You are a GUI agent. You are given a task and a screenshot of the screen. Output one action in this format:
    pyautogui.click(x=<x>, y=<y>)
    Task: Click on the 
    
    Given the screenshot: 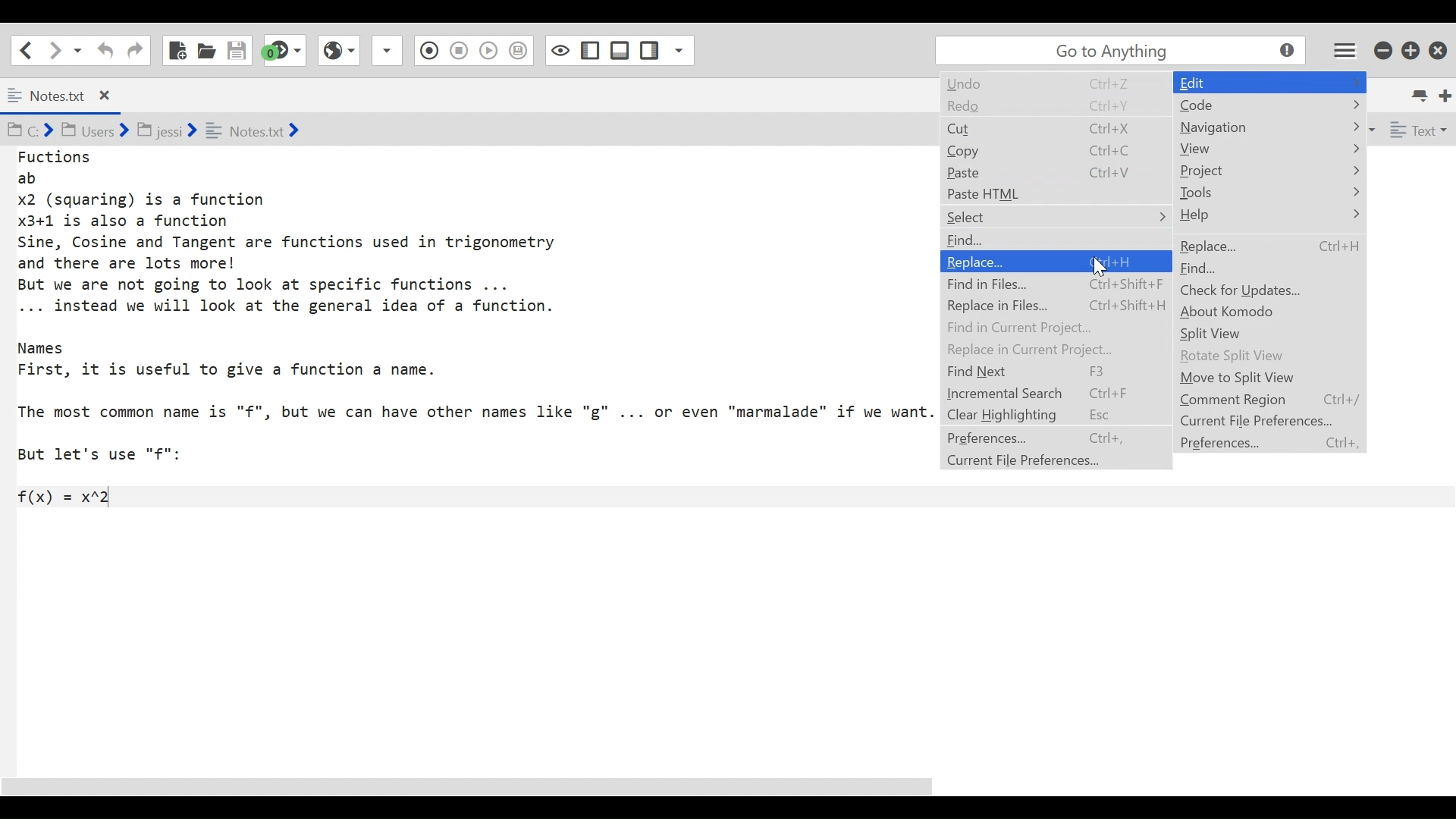 What is the action you would take?
    pyautogui.click(x=1041, y=372)
    